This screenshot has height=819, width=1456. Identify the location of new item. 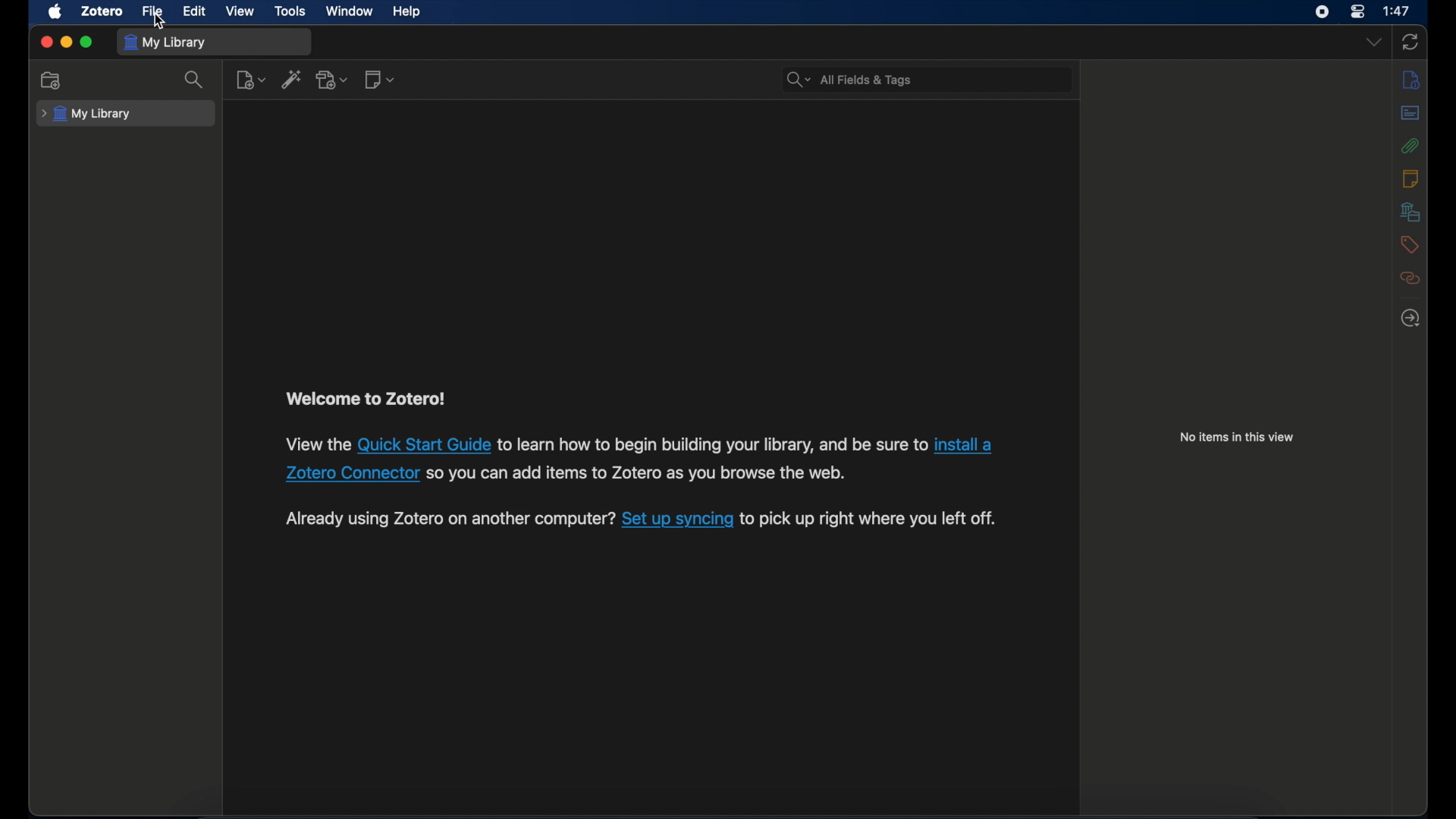
(250, 79).